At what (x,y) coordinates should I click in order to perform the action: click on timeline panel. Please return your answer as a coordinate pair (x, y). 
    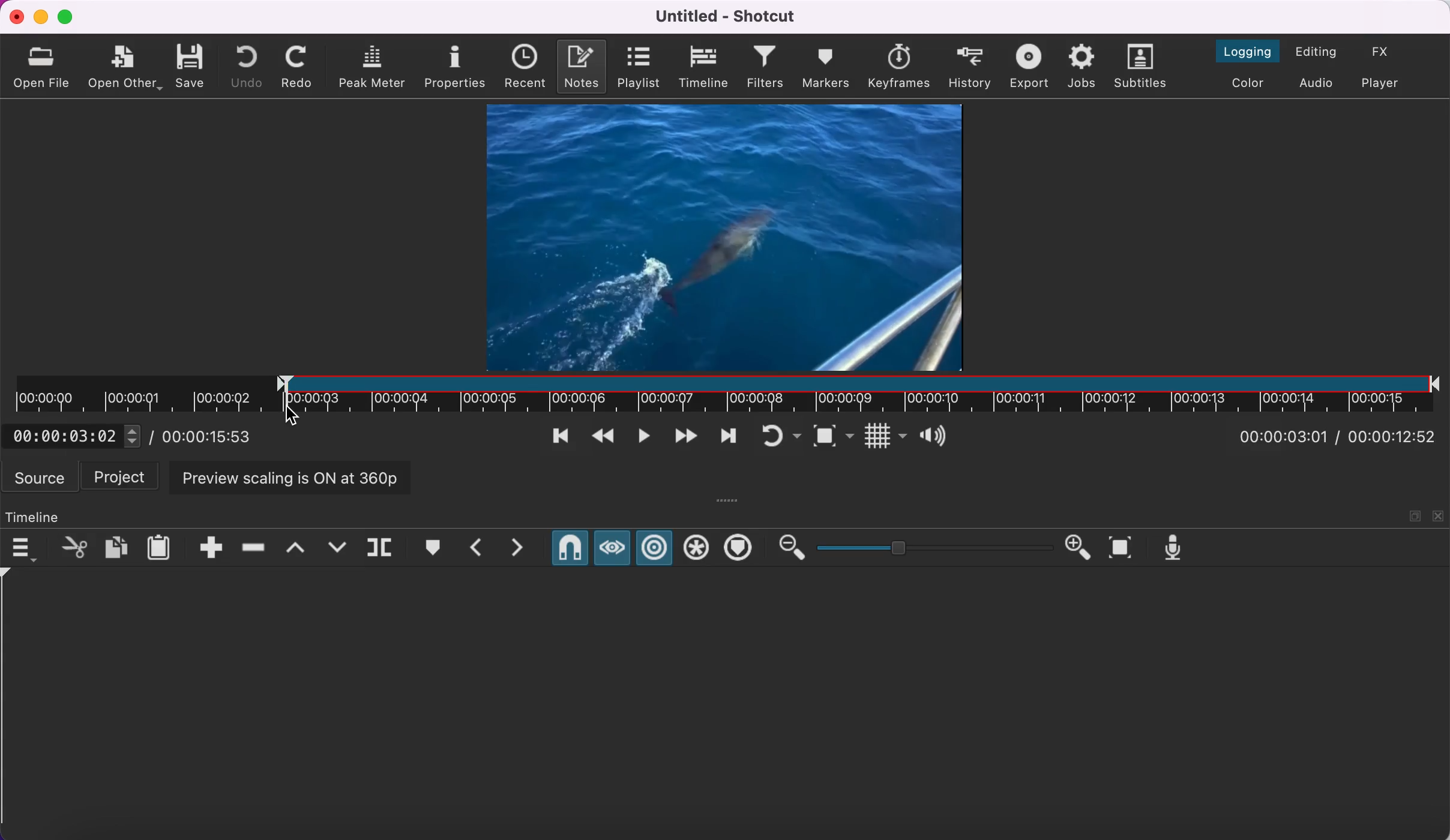
    Looking at the image, I should click on (34, 517).